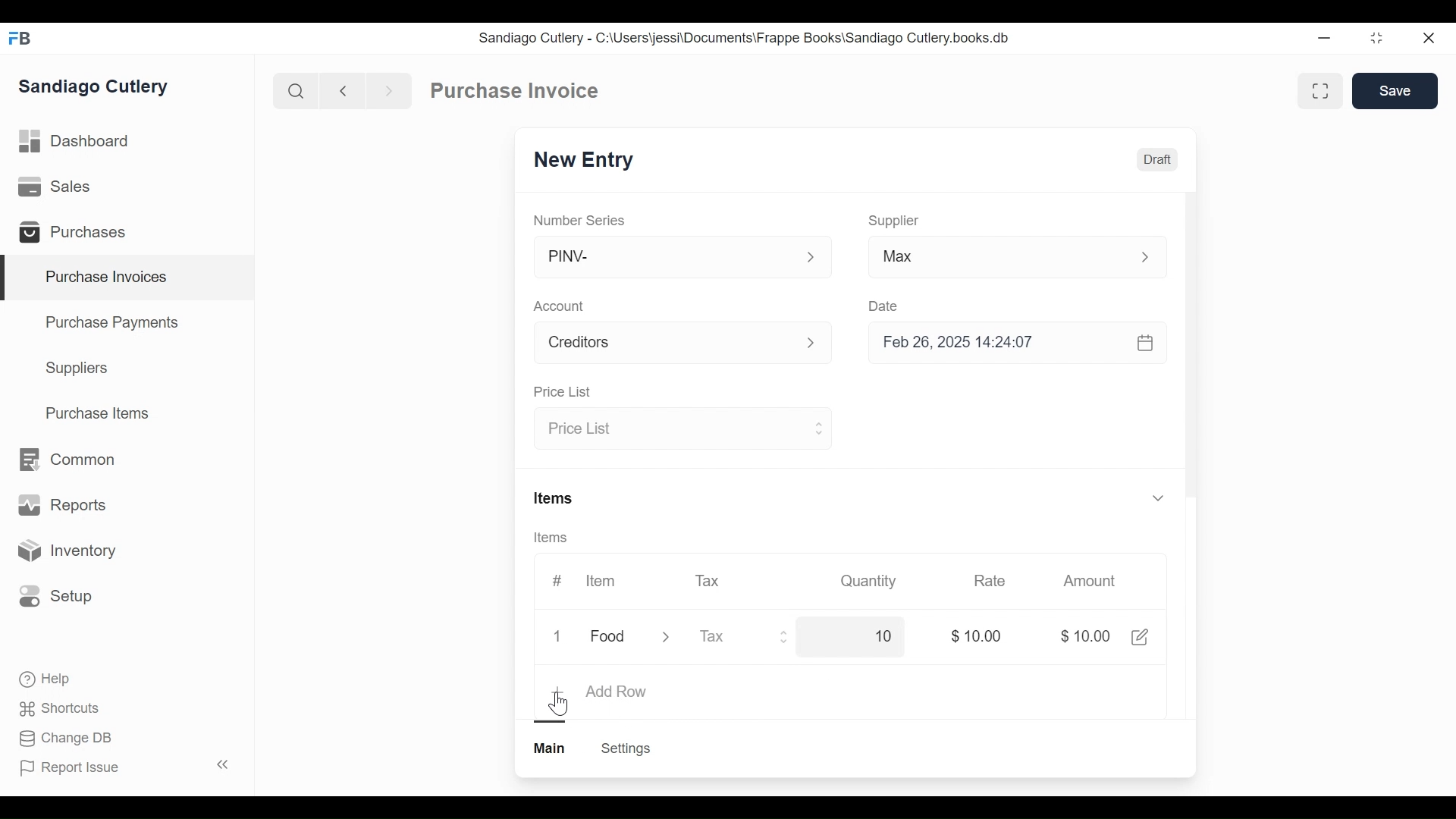 The height and width of the screenshot is (819, 1456). What do you see at coordinates (562, 703) in the screenshot?
I see `Cursor` at bounding box center [562, 703].